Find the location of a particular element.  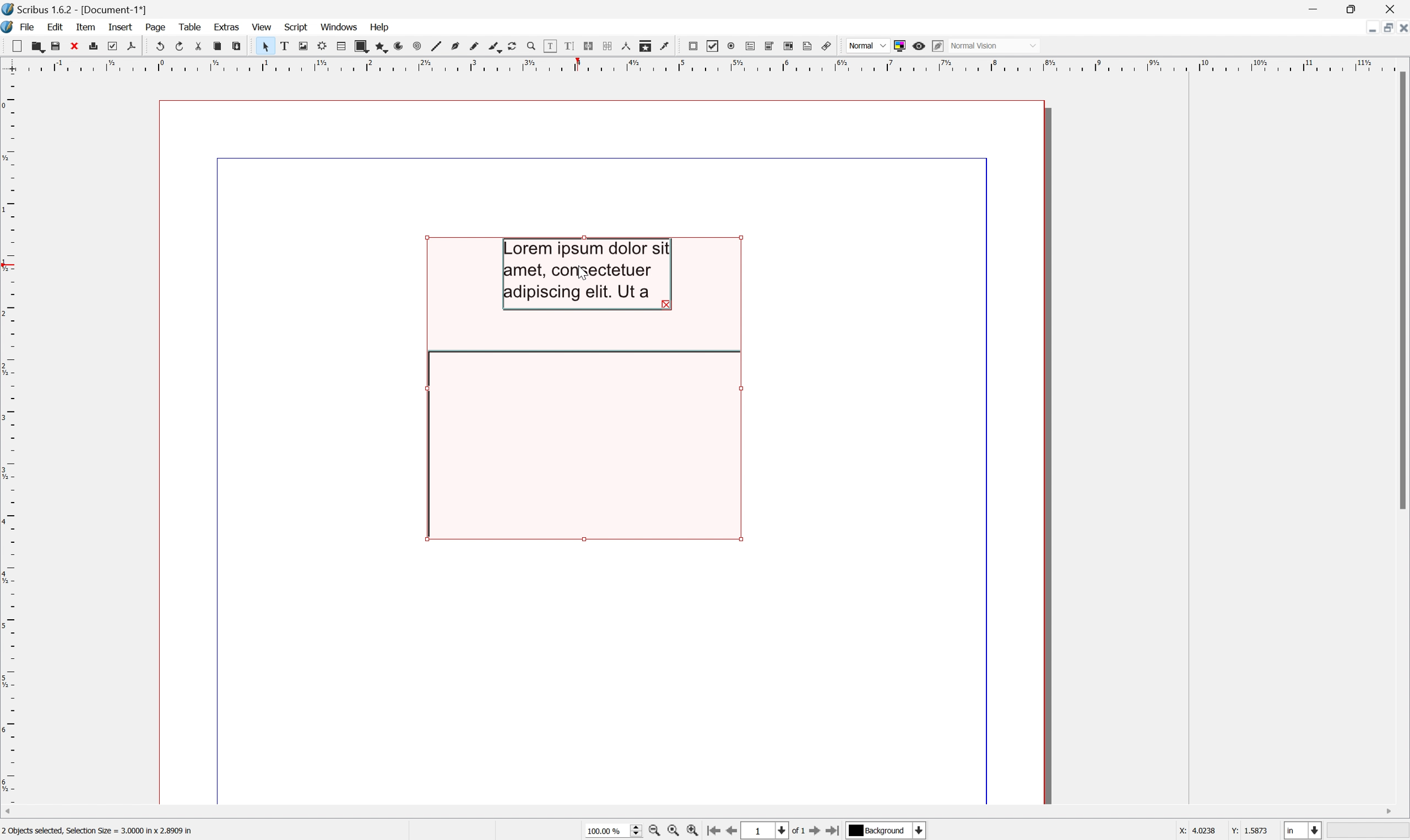

Unlink text frames is located at coordinates (607, 45).